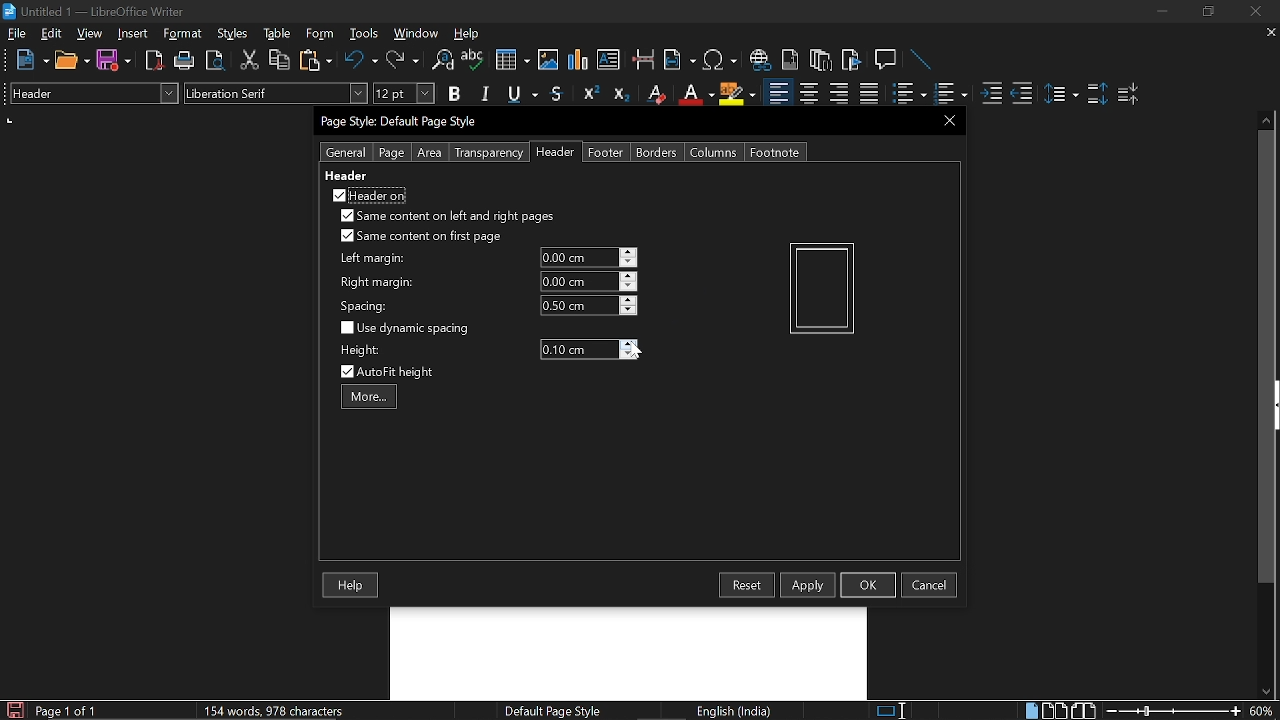 The width and height of the screenshot is (1280, 720). I want to click on Insert field, so click(680, 61).